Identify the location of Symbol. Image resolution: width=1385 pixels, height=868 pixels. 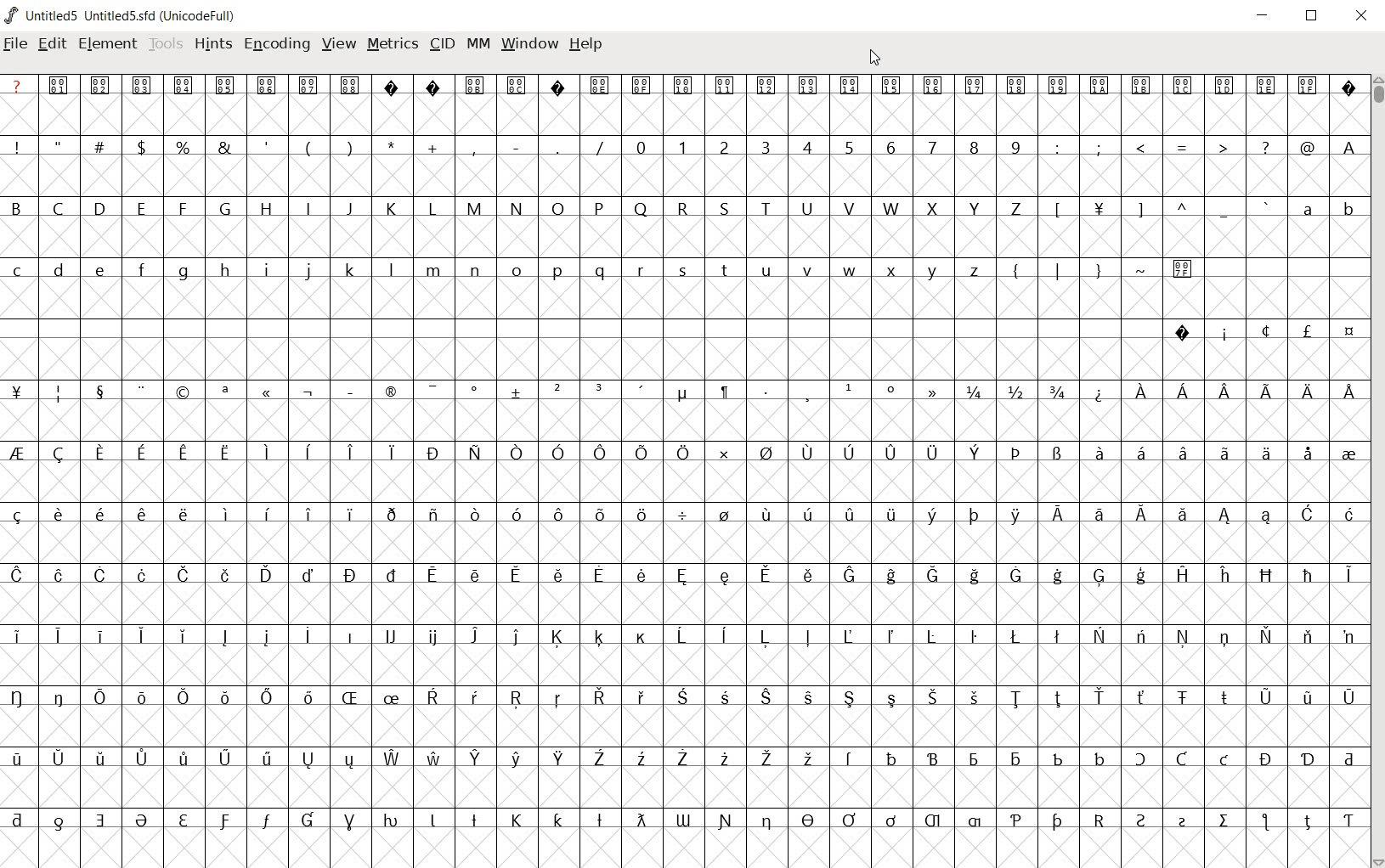
(58, 634).